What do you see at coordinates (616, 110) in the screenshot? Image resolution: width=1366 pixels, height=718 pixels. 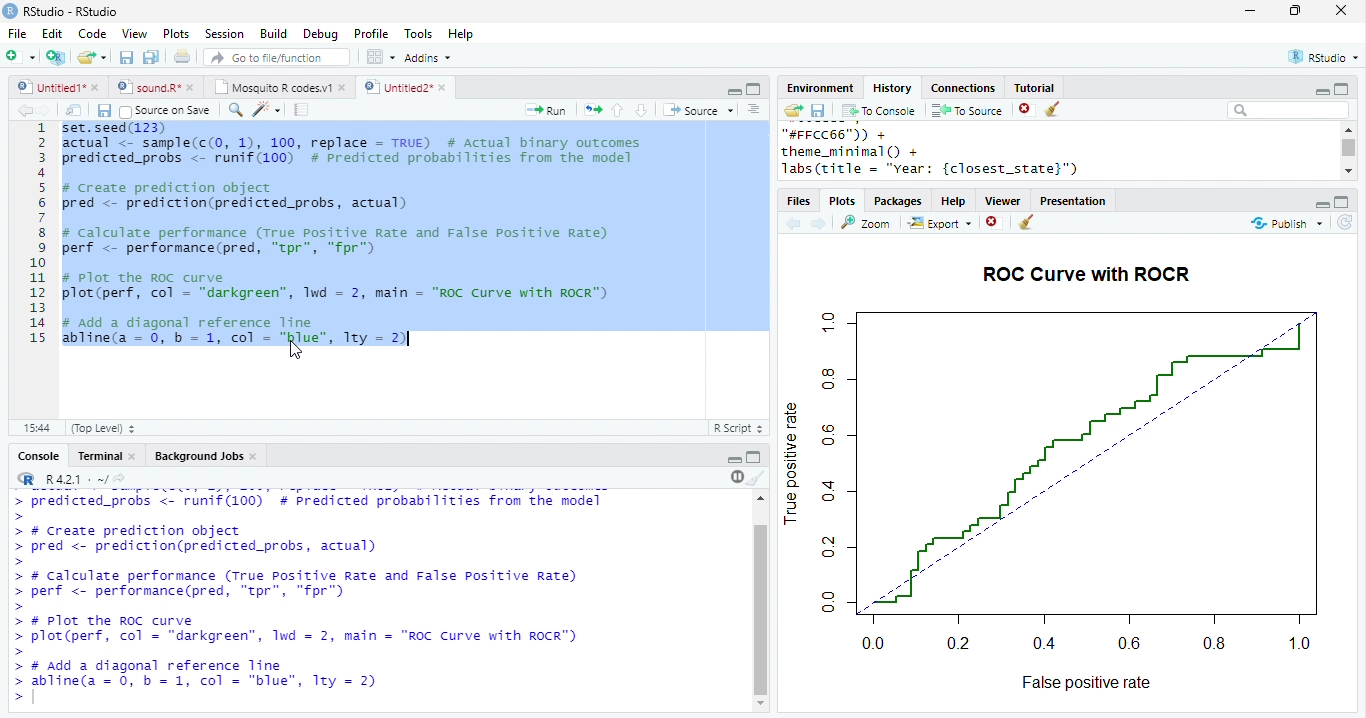 I see `up` at bounding box center [616, 110].